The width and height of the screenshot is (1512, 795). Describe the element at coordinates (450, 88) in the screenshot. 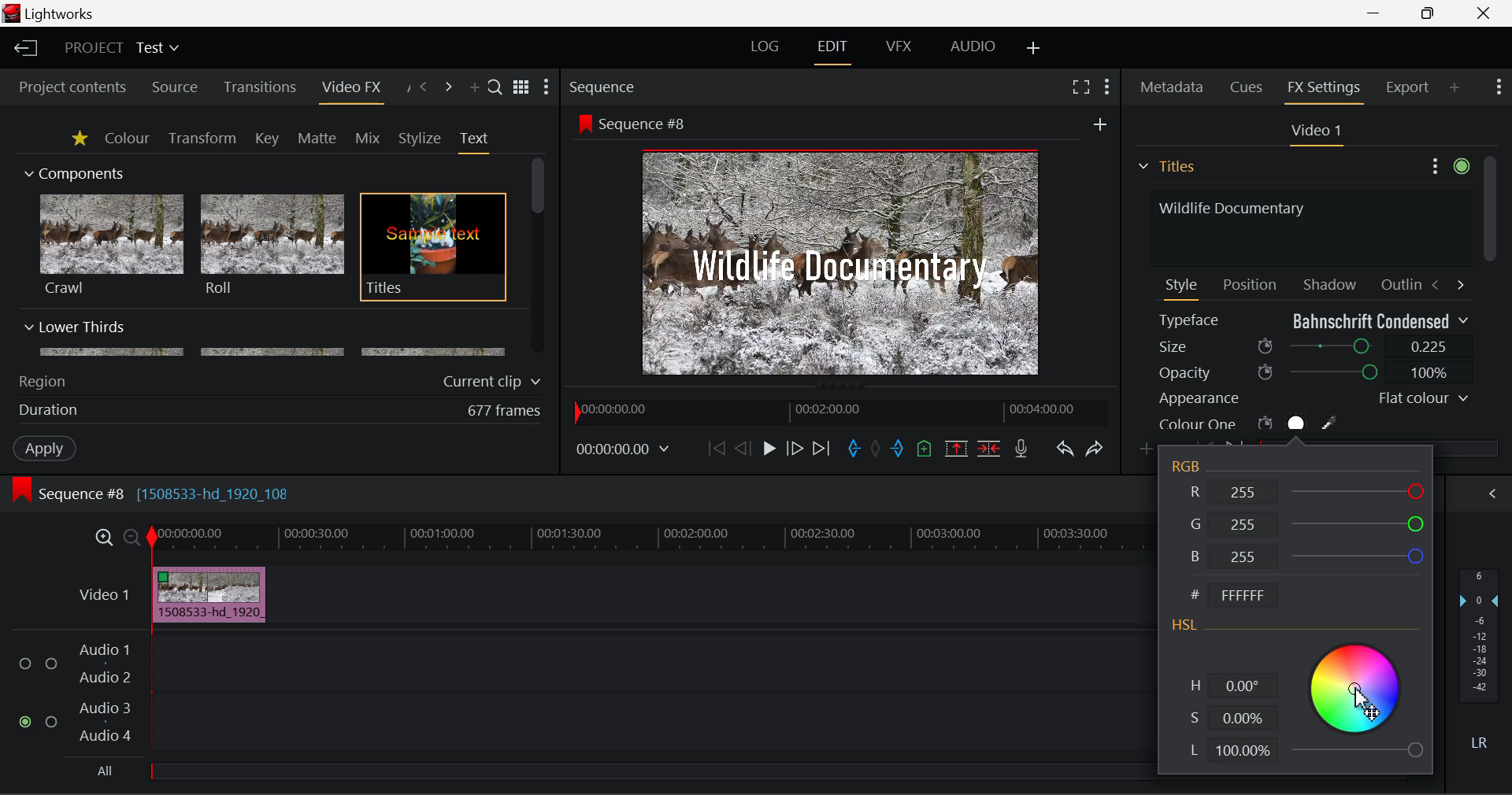

I see `Next Panel` at that location.